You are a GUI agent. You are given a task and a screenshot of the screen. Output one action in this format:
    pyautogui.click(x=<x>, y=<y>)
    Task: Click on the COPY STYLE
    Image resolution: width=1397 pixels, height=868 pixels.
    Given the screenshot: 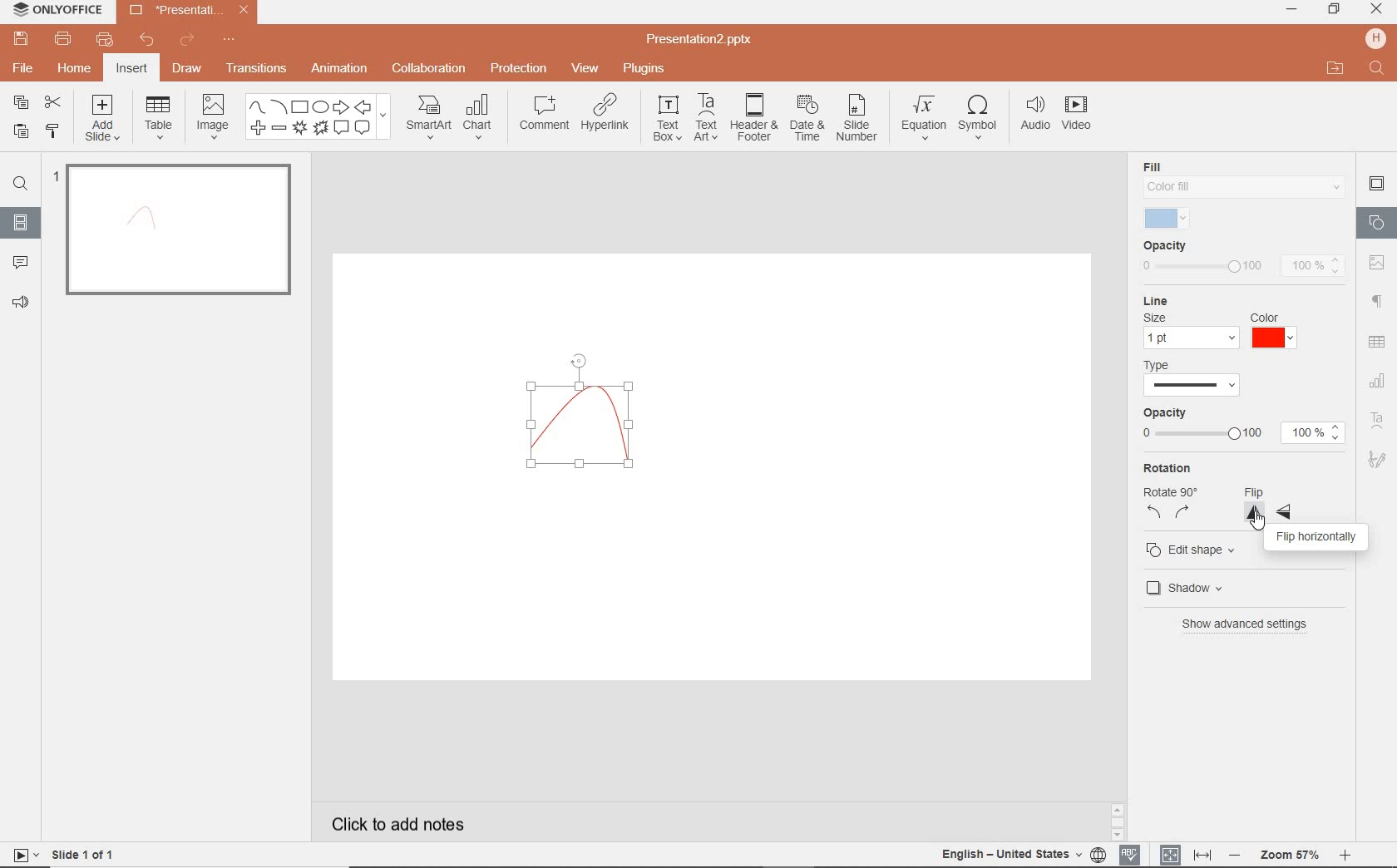 What is the action you would take?
    pyautogui.click(x=52, y=131)
    